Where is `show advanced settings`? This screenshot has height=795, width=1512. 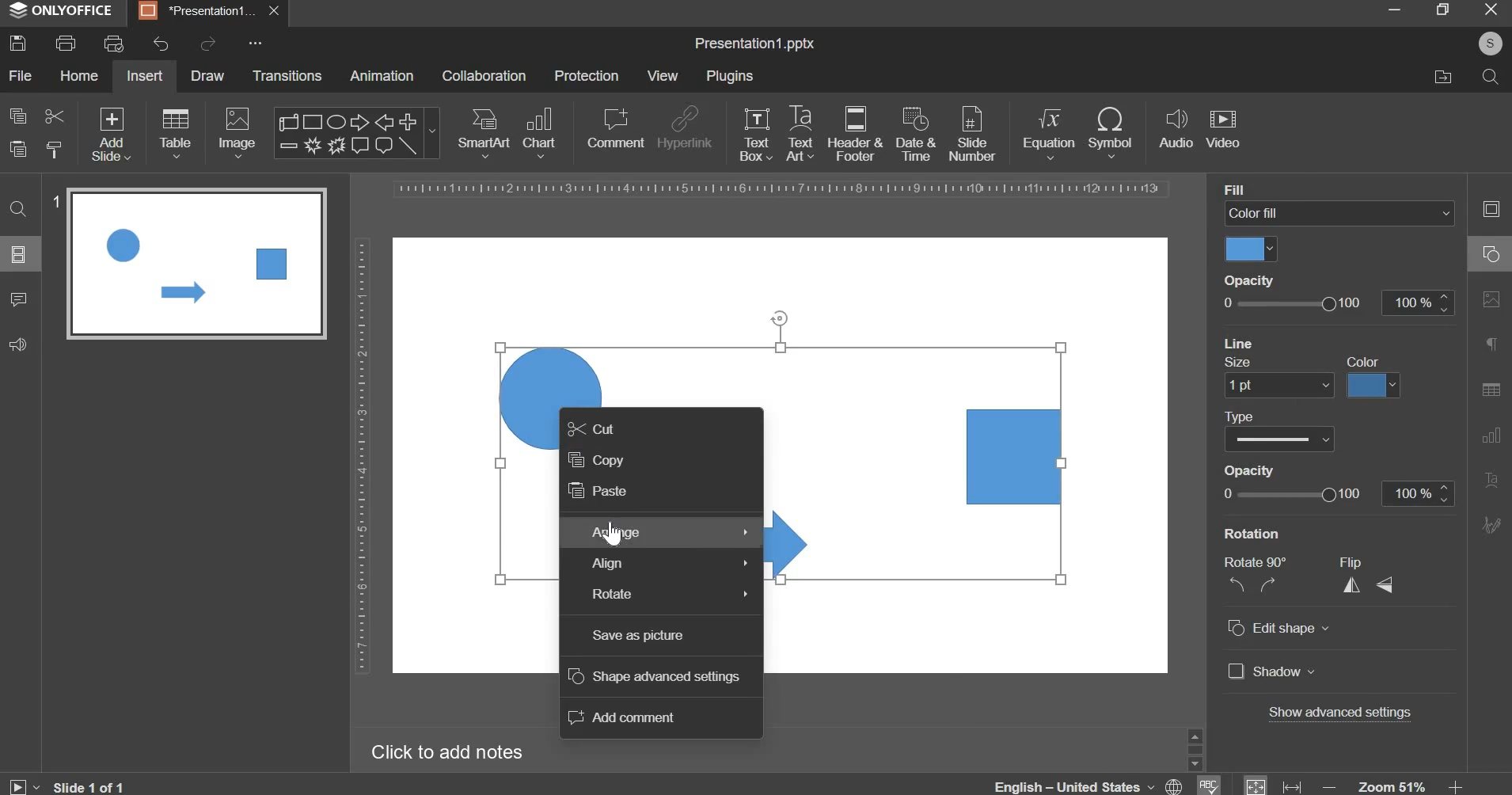 show advanced settings is located at coordinates (1343, 714).